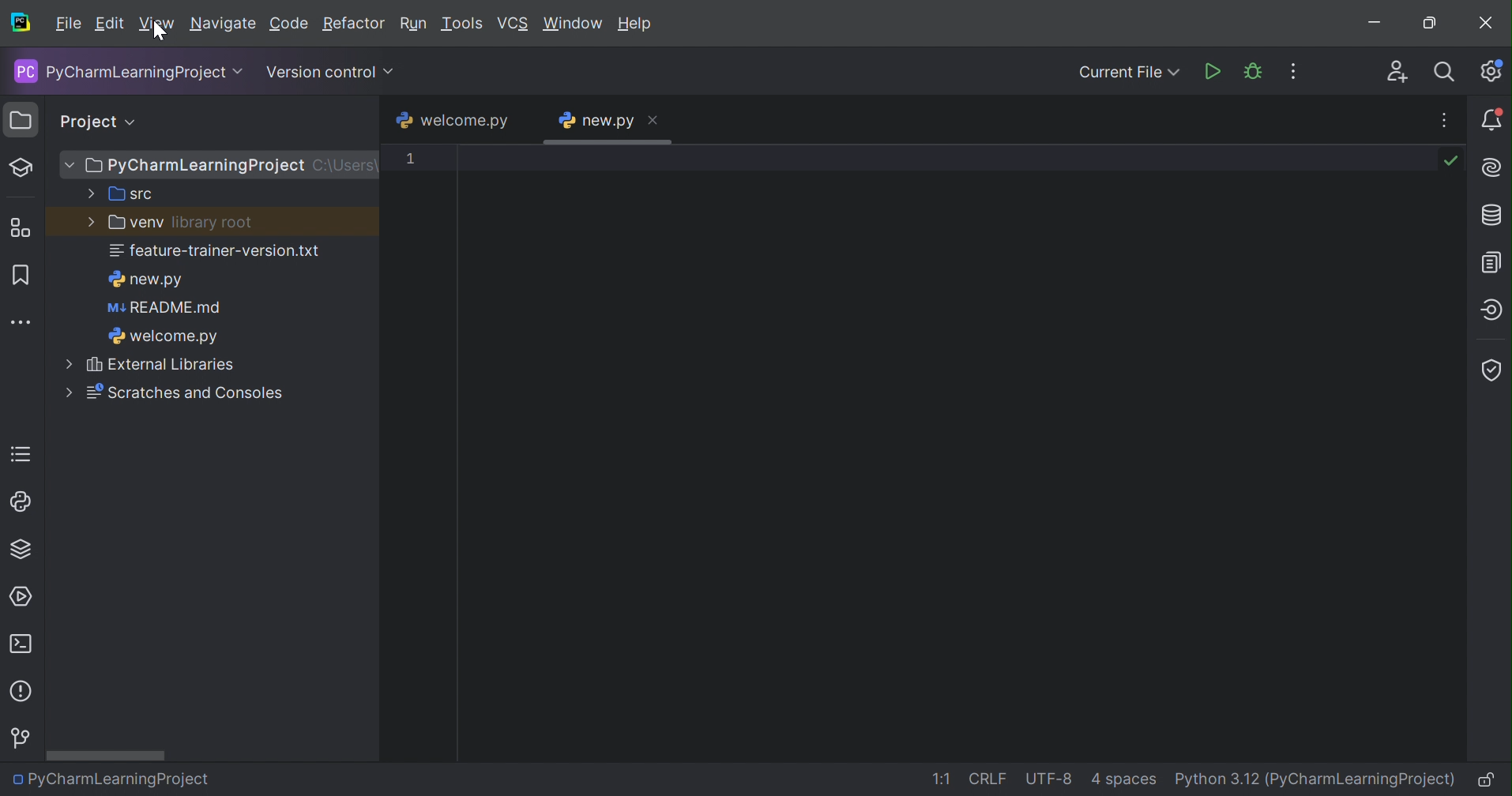  Describe the element at coordinates (24, 595) in the screenshot. I see `services` at that location.